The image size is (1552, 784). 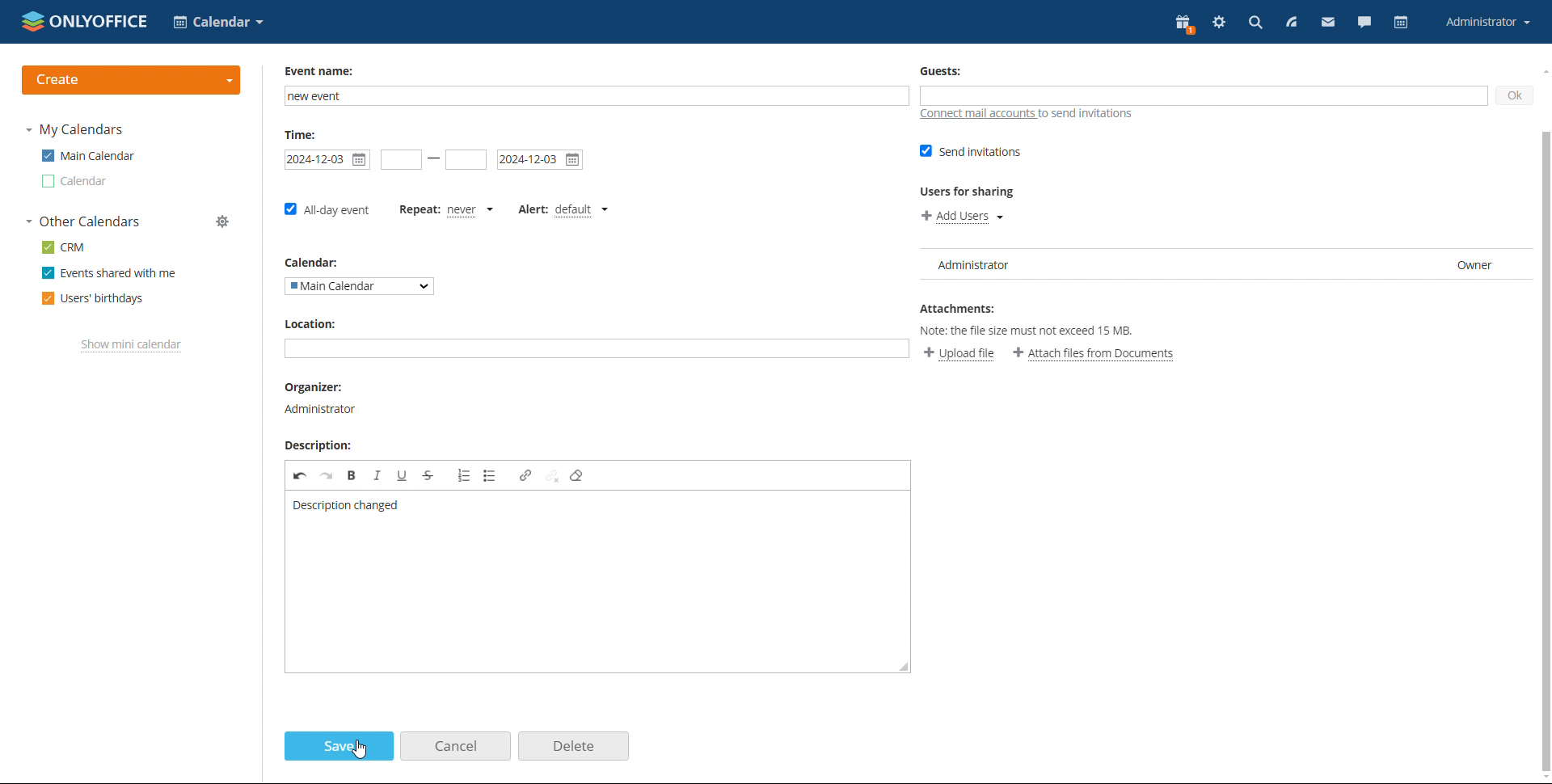 What do you see at coordinates (1365, 23) in the screenshot?
I see `chat` at bounding box center [1365, 23].